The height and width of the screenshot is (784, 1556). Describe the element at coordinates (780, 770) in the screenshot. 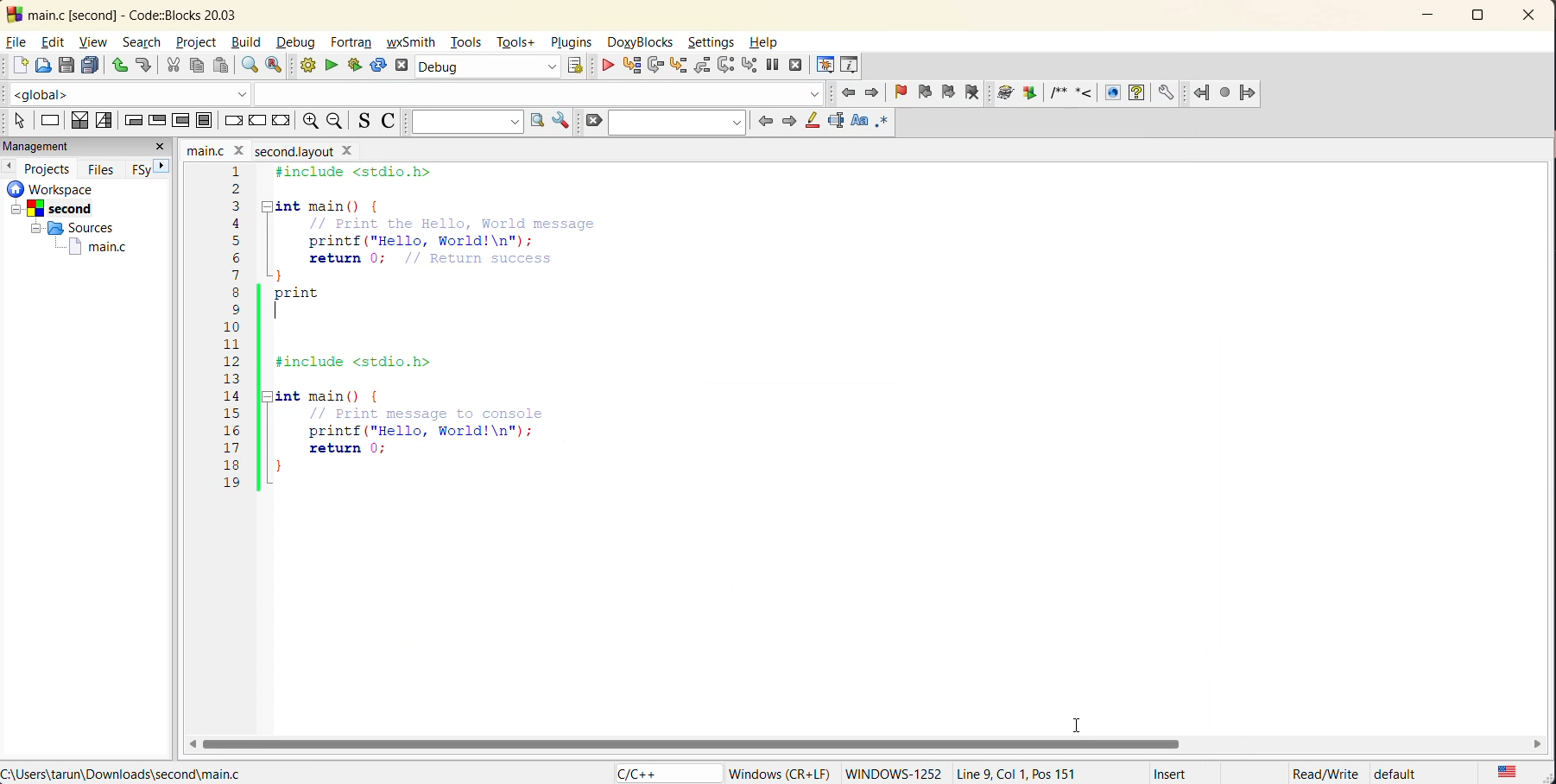

I see `metadata` at that location.